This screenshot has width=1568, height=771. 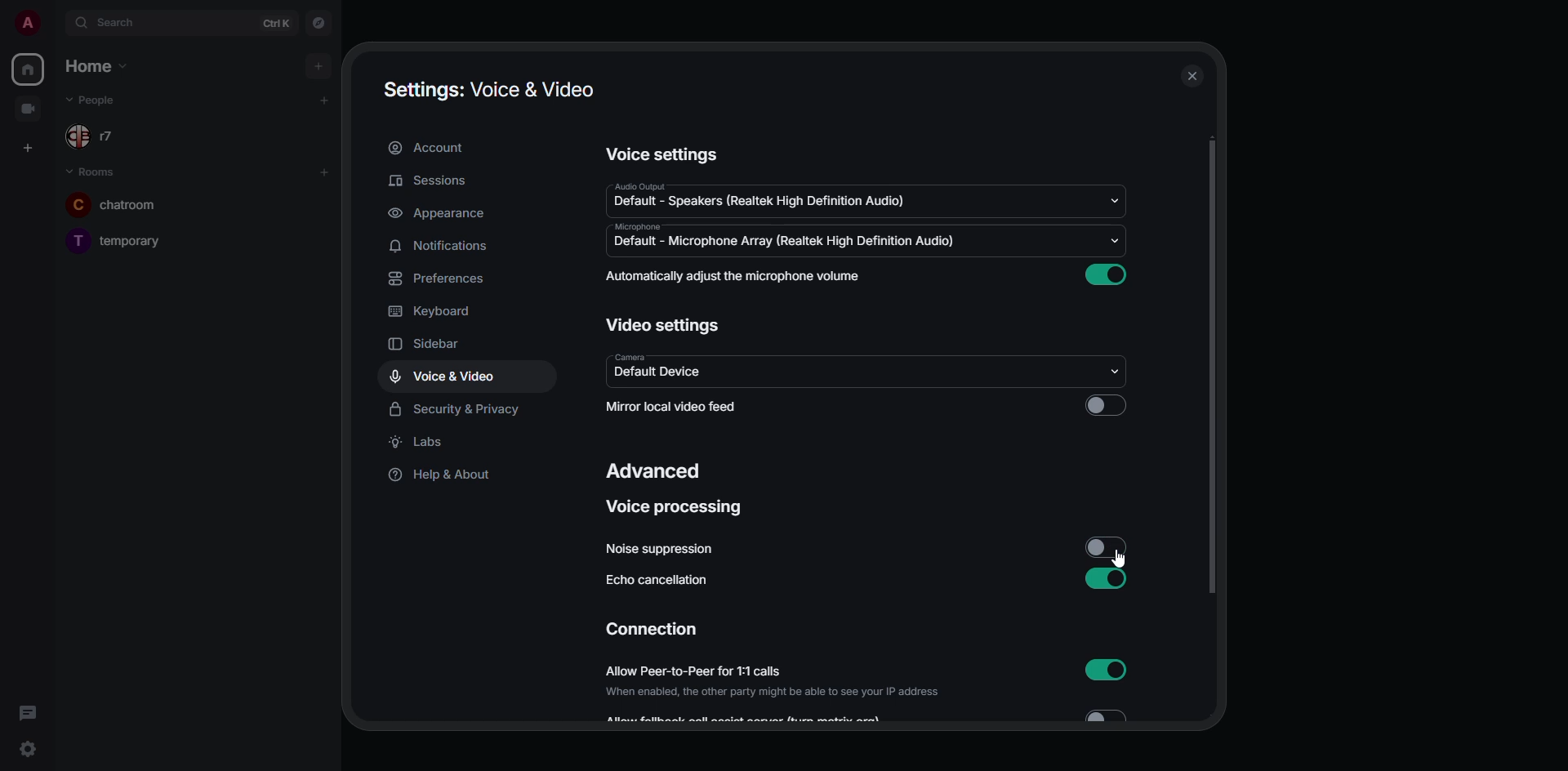 What do you see at coordinates (93, 65) in the screenshot?
I see `home` at bounding box center [93, 65].